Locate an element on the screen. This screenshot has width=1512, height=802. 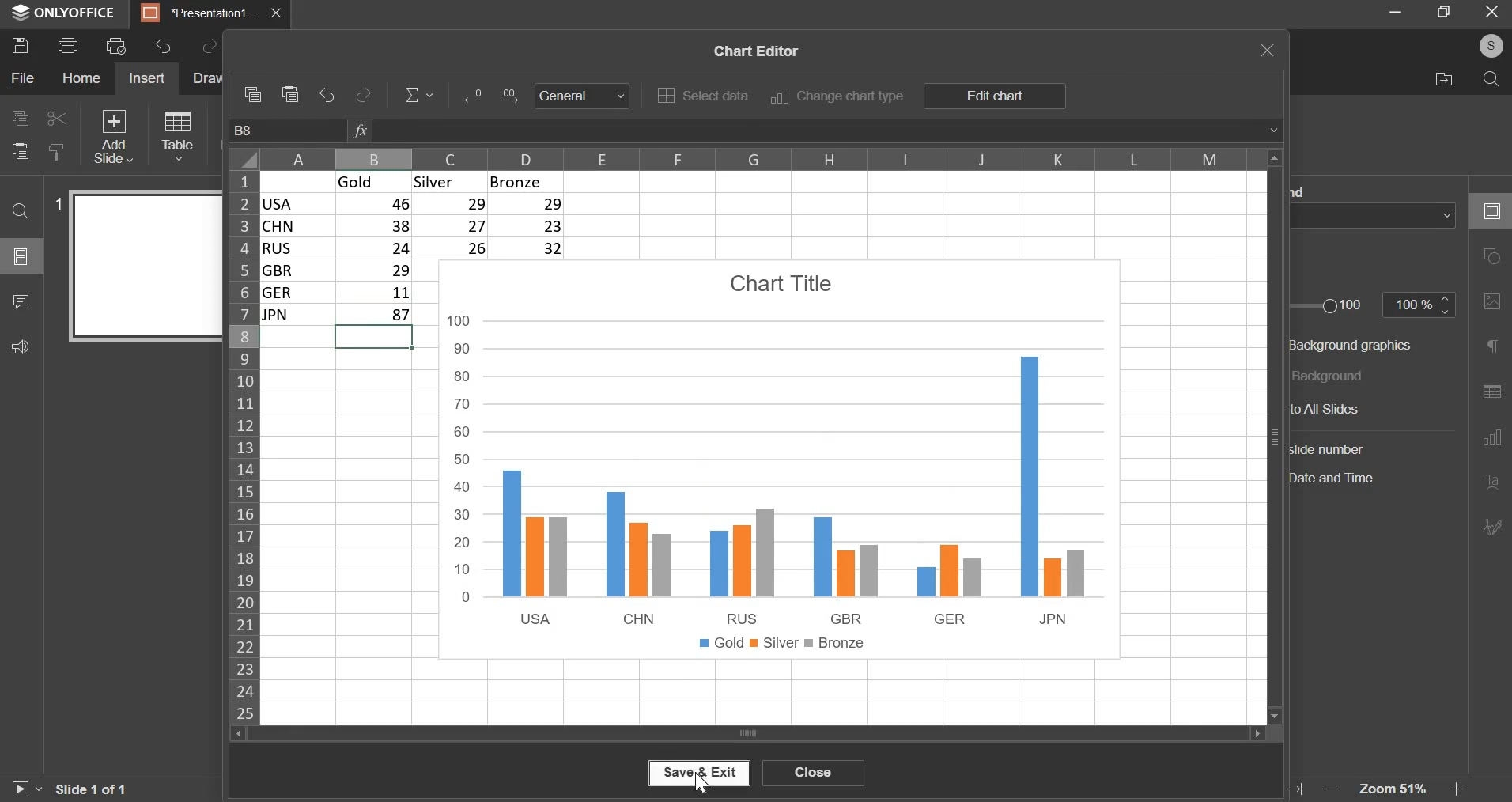
copy is located at coordinates (19, 119).